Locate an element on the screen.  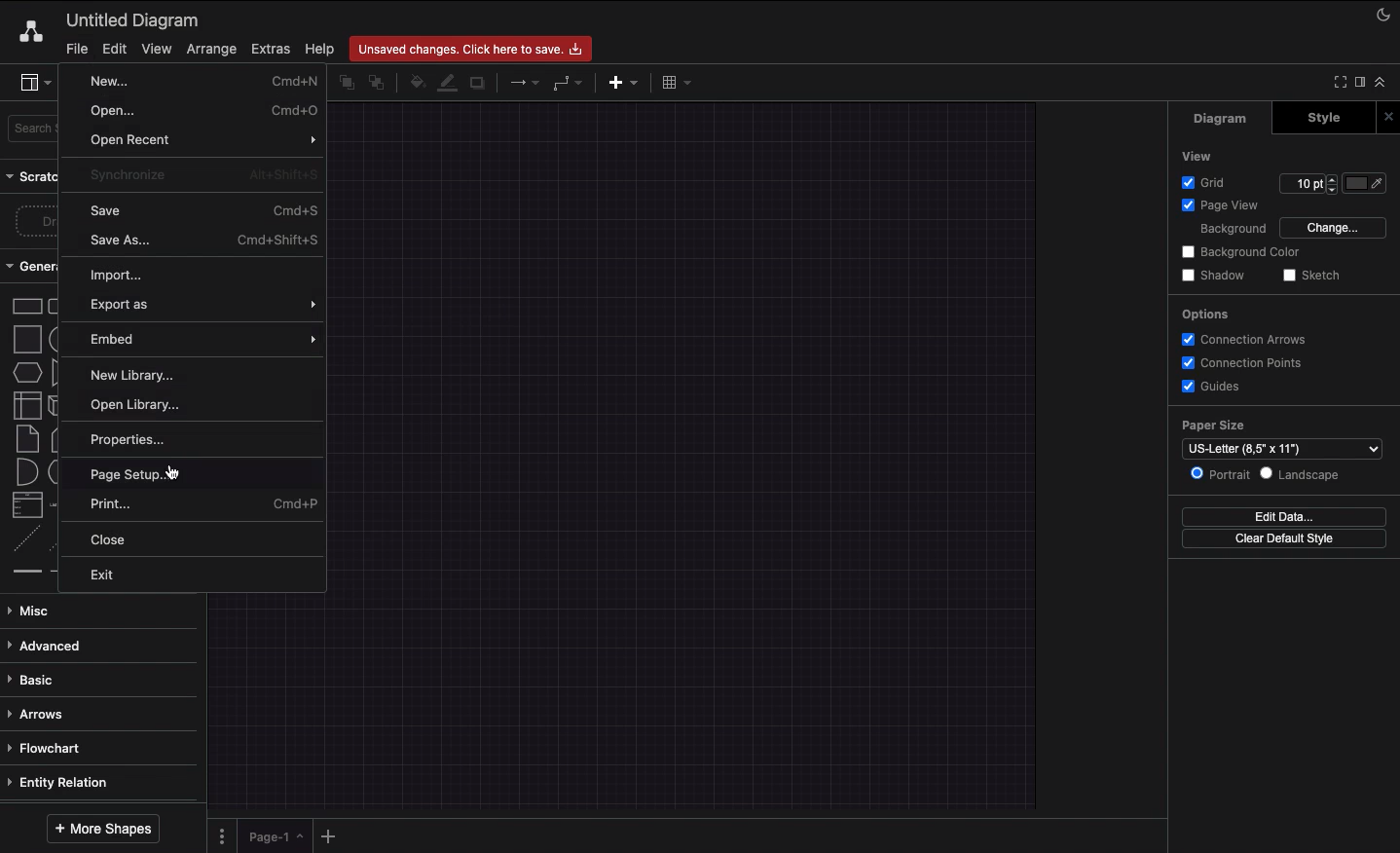
10 pt is located at coordinates (1307, 181).